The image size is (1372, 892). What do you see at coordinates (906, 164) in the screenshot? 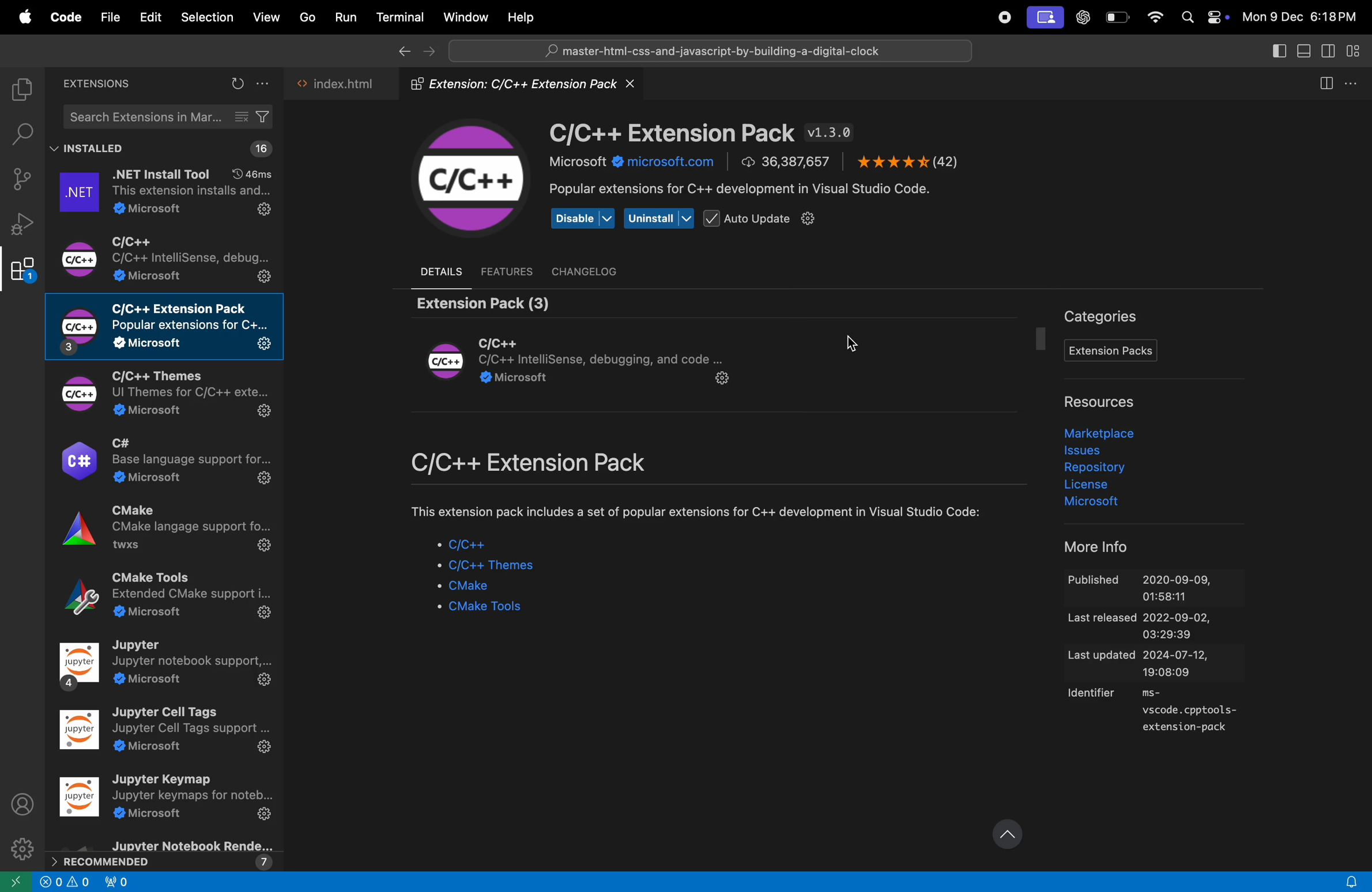
I see `ratings` at bounding box center [906, 164].